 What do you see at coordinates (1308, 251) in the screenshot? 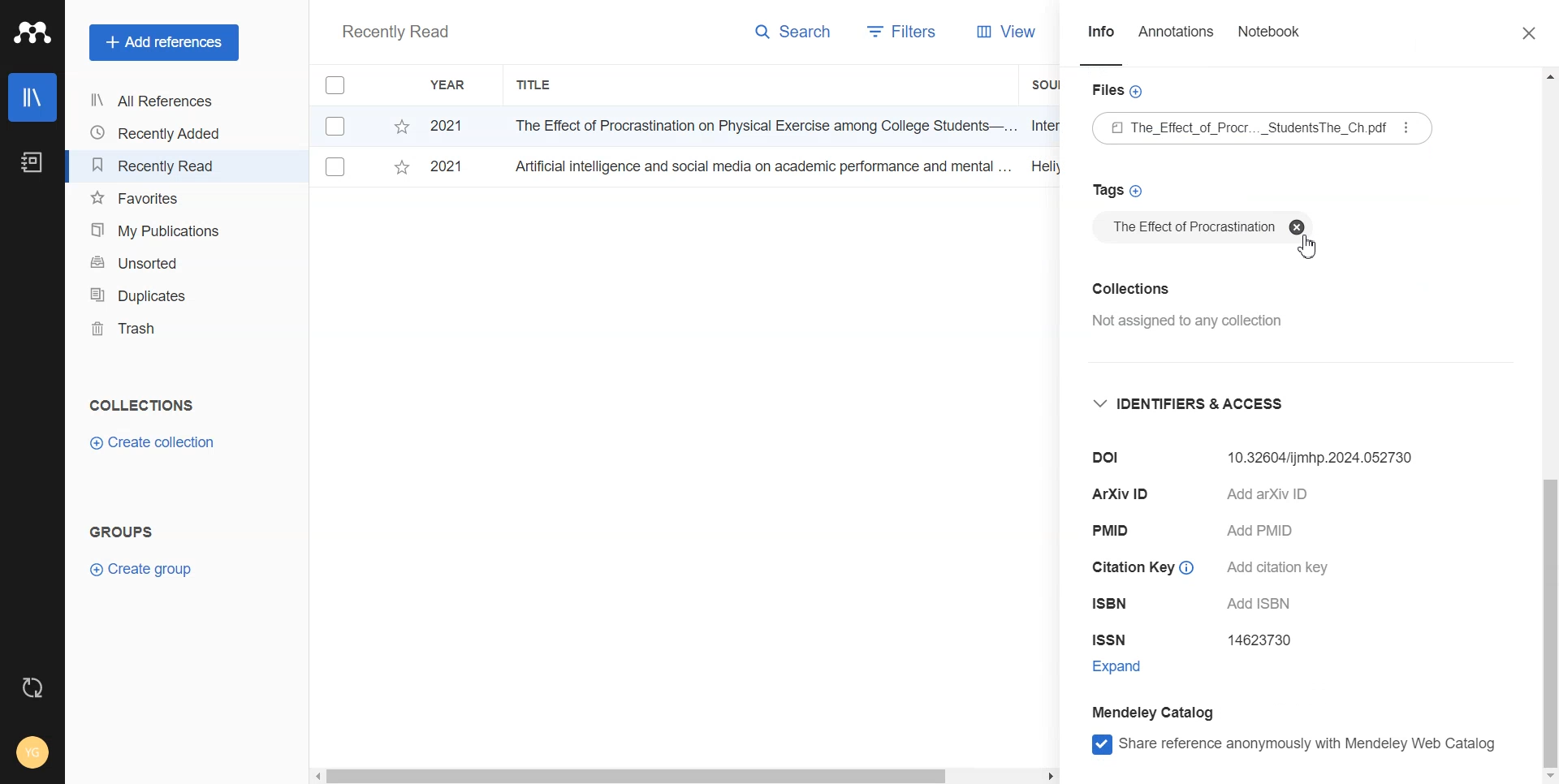
I see `Cursor` at bounding box center [1308, 251].